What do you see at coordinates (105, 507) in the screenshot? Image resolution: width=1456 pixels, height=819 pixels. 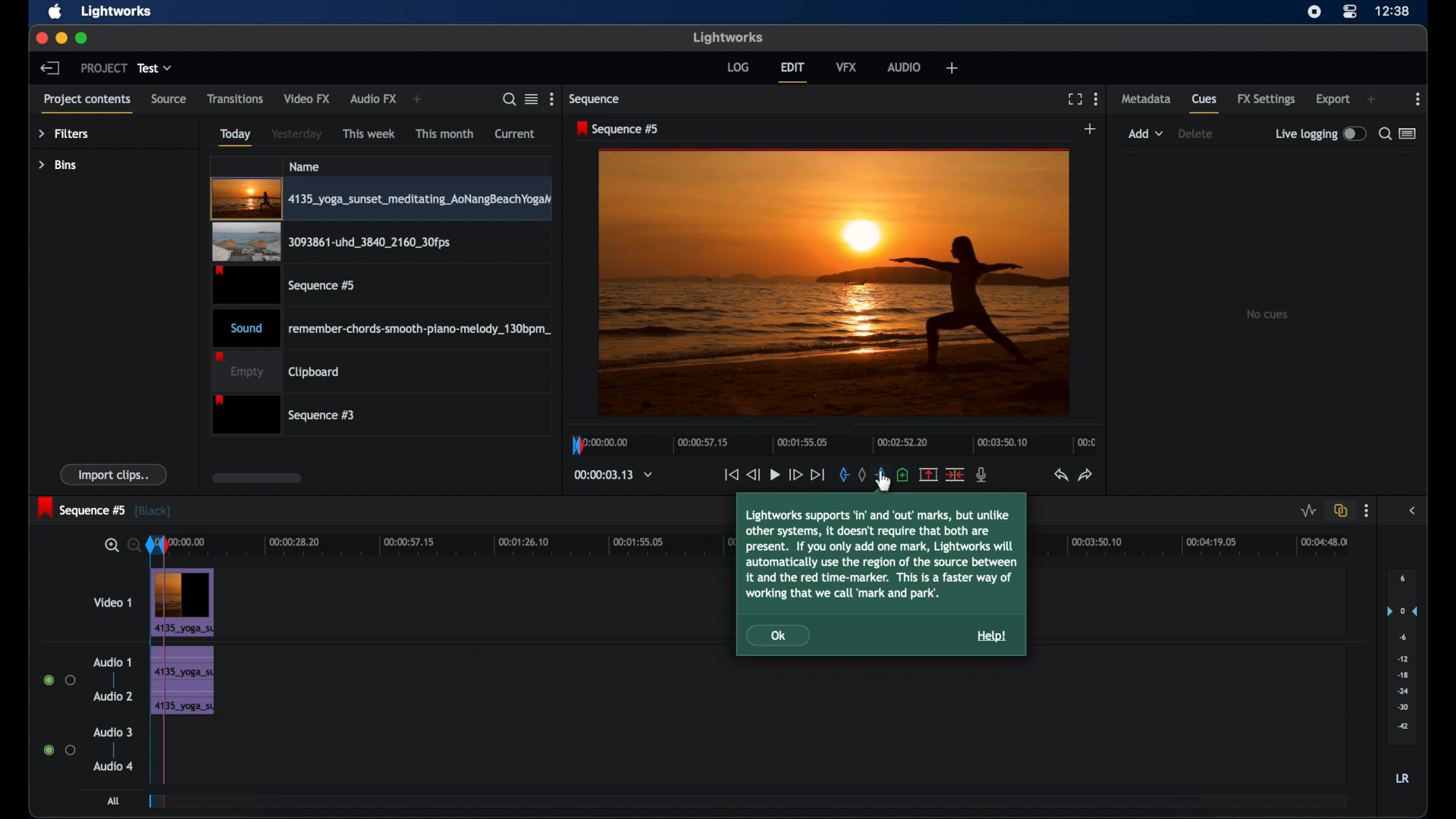 I see `sequence` at bounding box center [105, 507].